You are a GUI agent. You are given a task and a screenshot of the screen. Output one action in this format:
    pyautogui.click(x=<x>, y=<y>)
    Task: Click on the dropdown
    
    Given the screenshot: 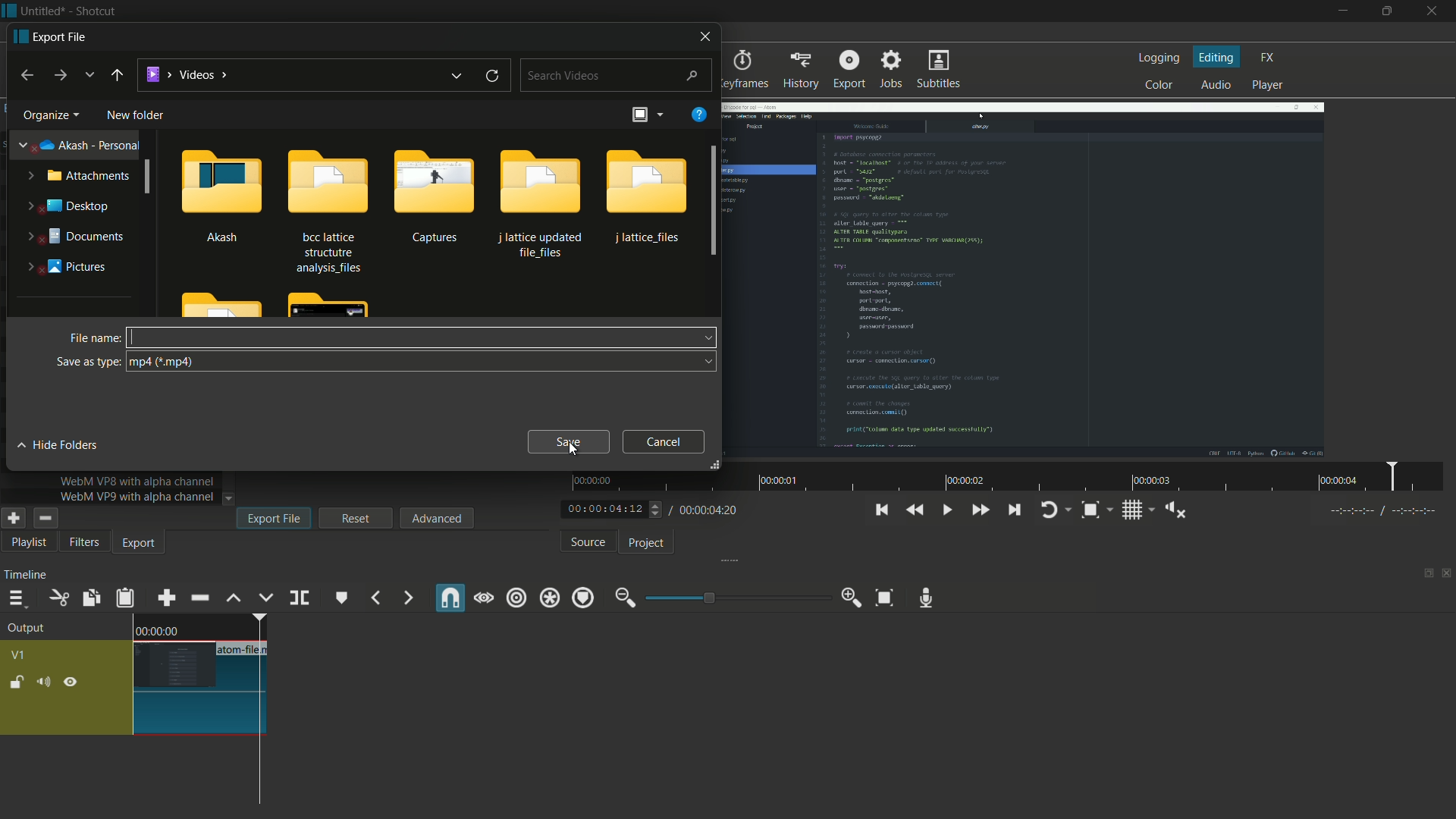 What is the action you would take?
    pyautogui.click(x=706, y=337)
    